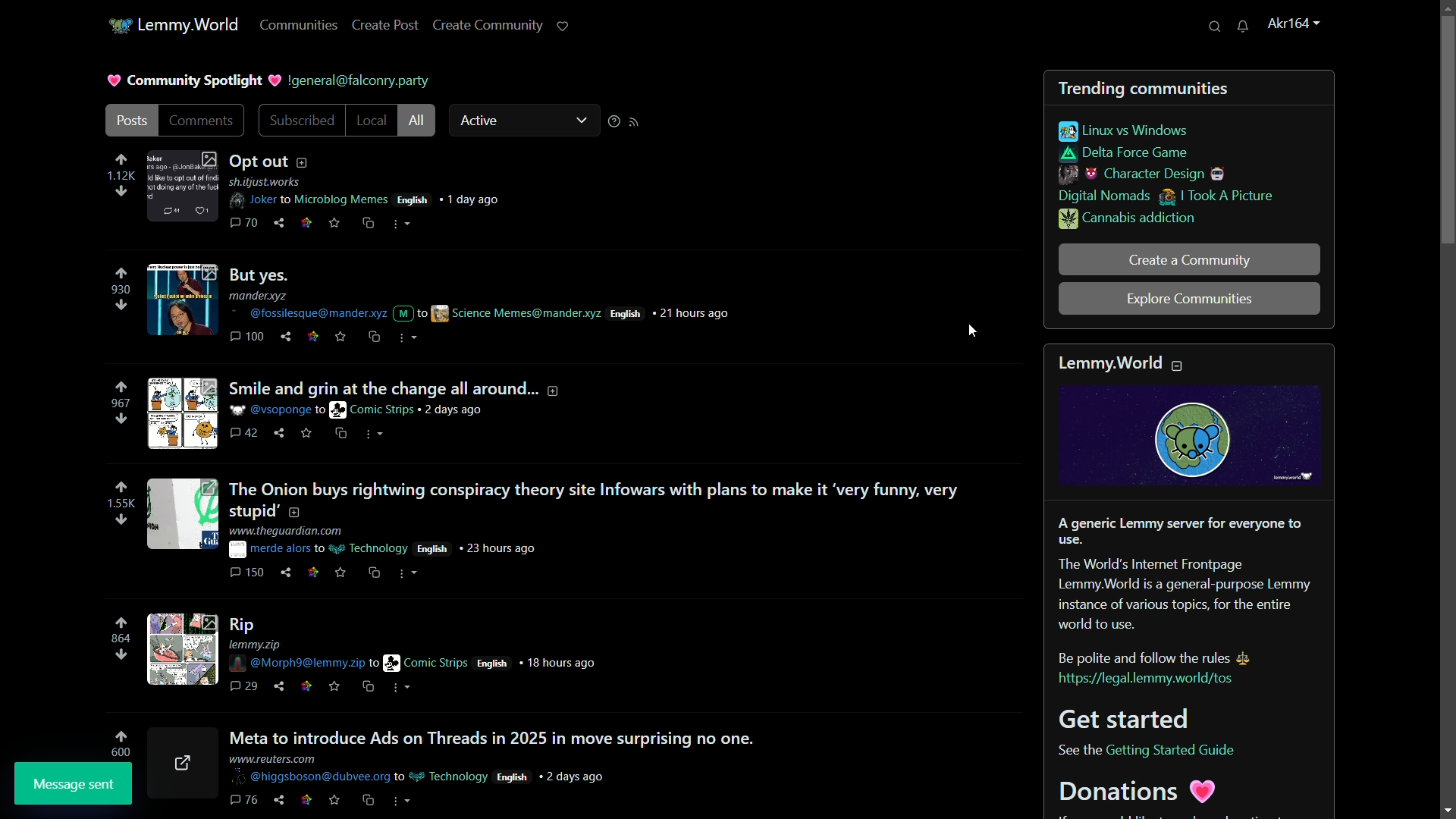 Image resolution: width=1456 pixels, height=819 pixels. Describe the element at coordinates (408, 572) in the screenshot. I see `more` at that location.